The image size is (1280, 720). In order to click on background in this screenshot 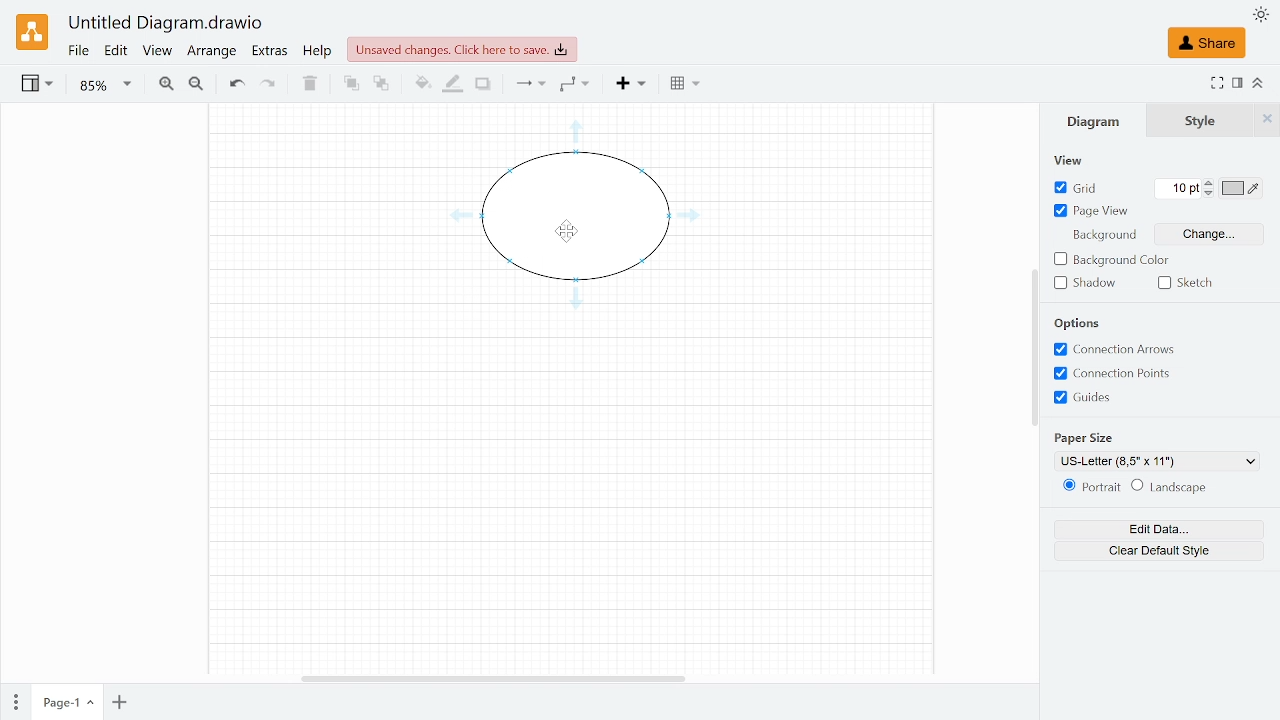, I will do `click(1107, 235)`.